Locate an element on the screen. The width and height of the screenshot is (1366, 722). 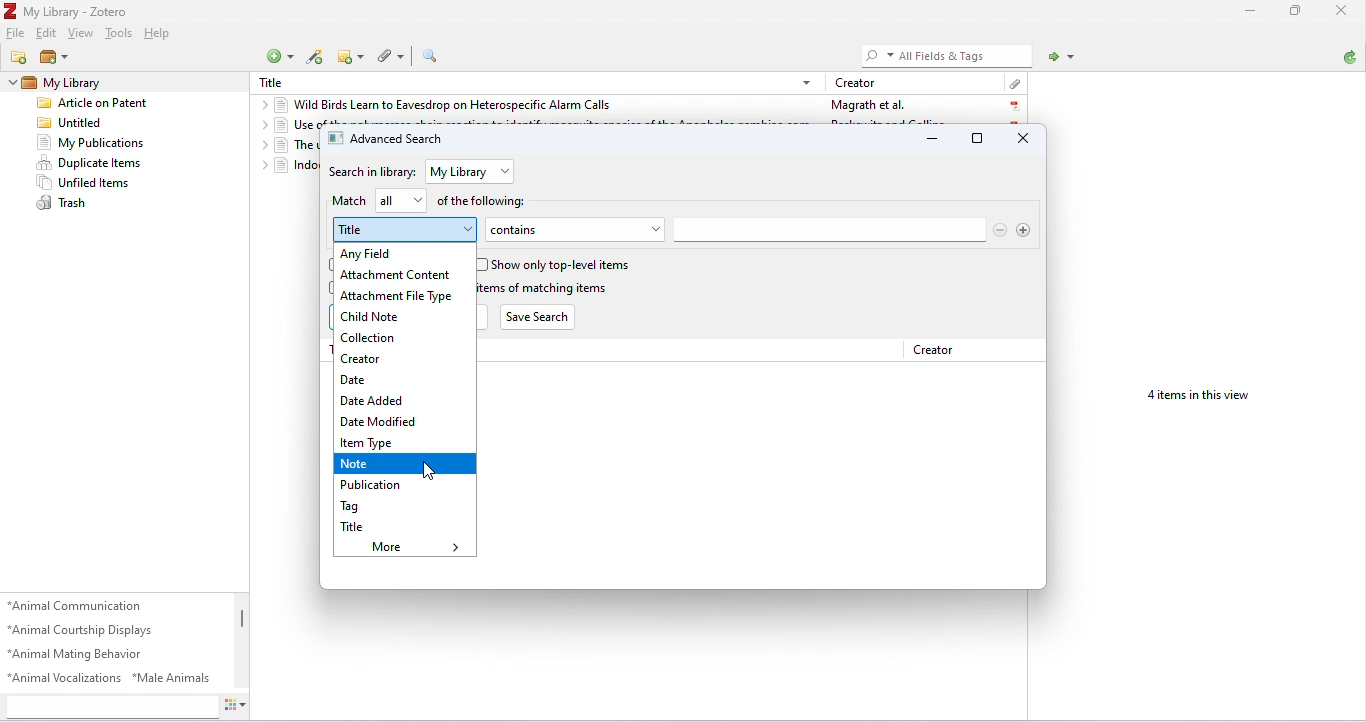
child note is located at coordinates (375, 318).